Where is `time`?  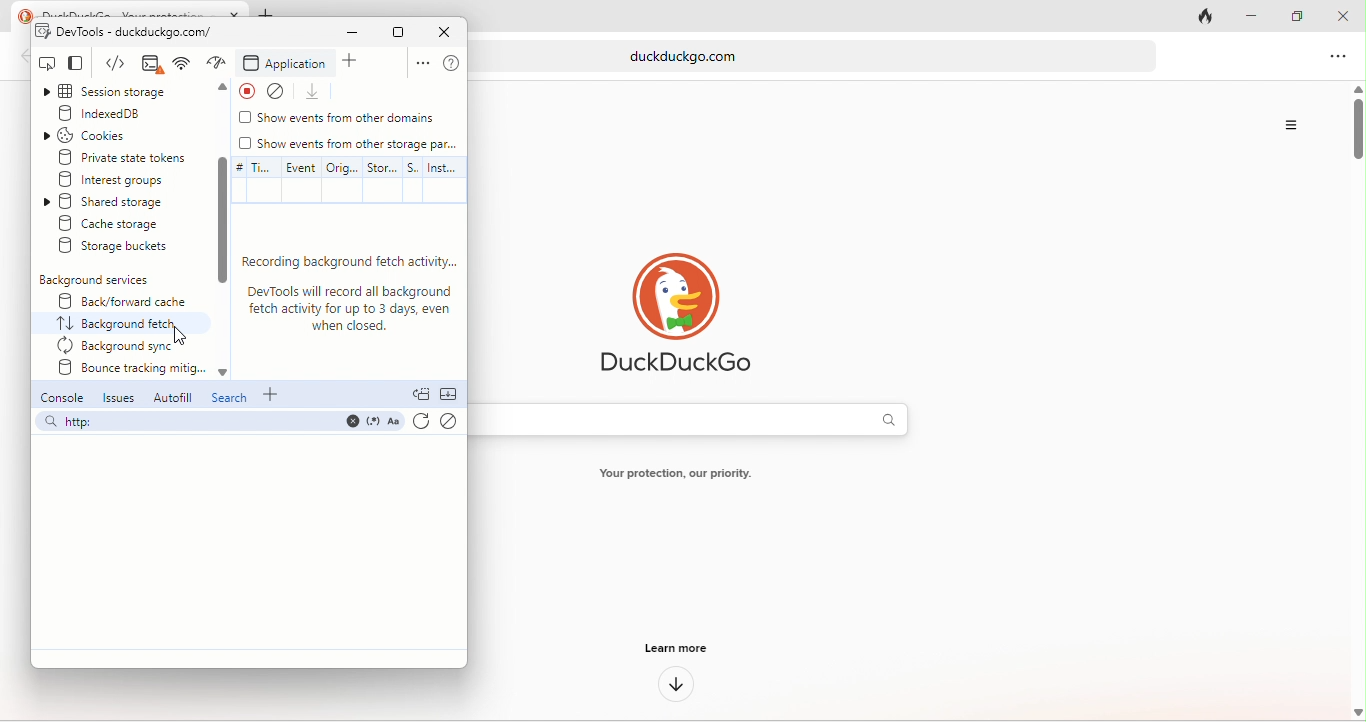 time is located at coordinates (251, 180).